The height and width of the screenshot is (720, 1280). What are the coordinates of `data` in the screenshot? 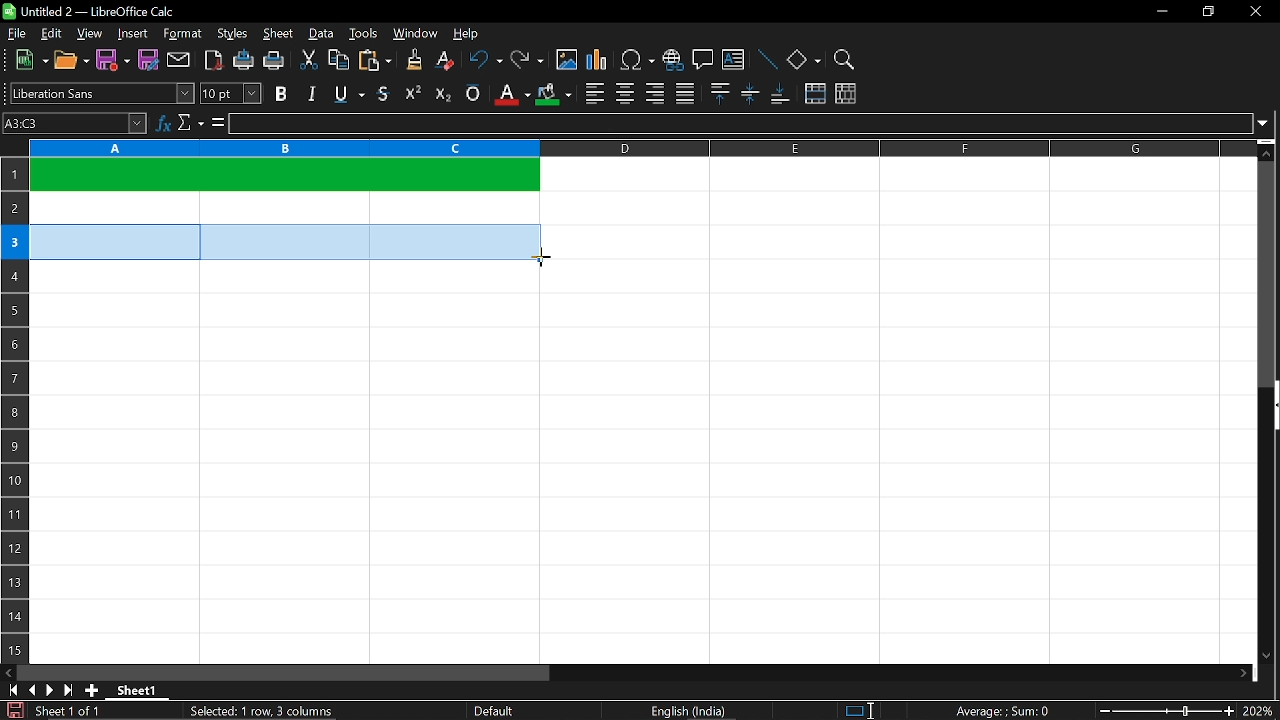 It's located at (322, 35).